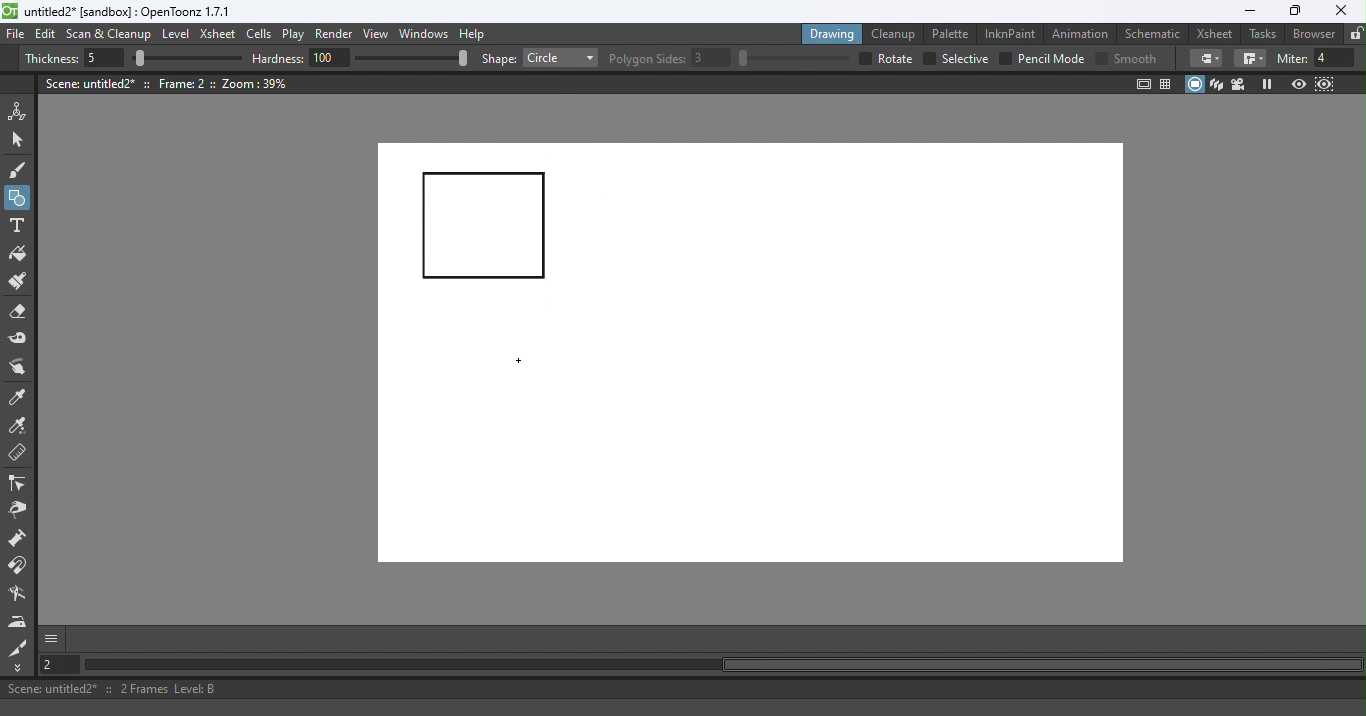 The height and width of the screenshot is (716, 1366). What do you see at coordinates (683, 689) in the screenshot?
I see `Status bar` at bounding box center [683, 689].